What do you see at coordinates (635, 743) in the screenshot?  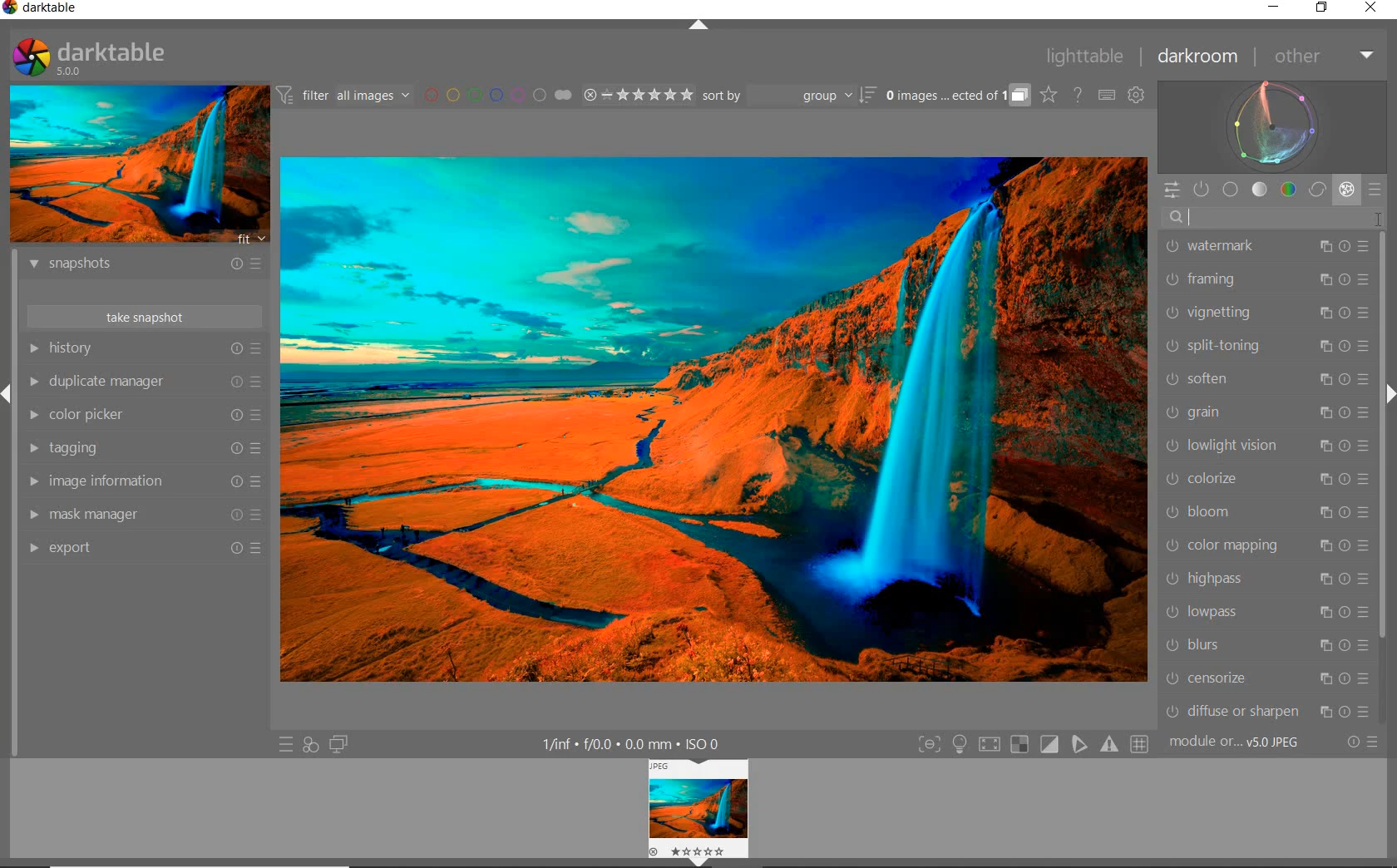 I see `DISPLAYED GUI INFO` at bounding box center [635, 743].